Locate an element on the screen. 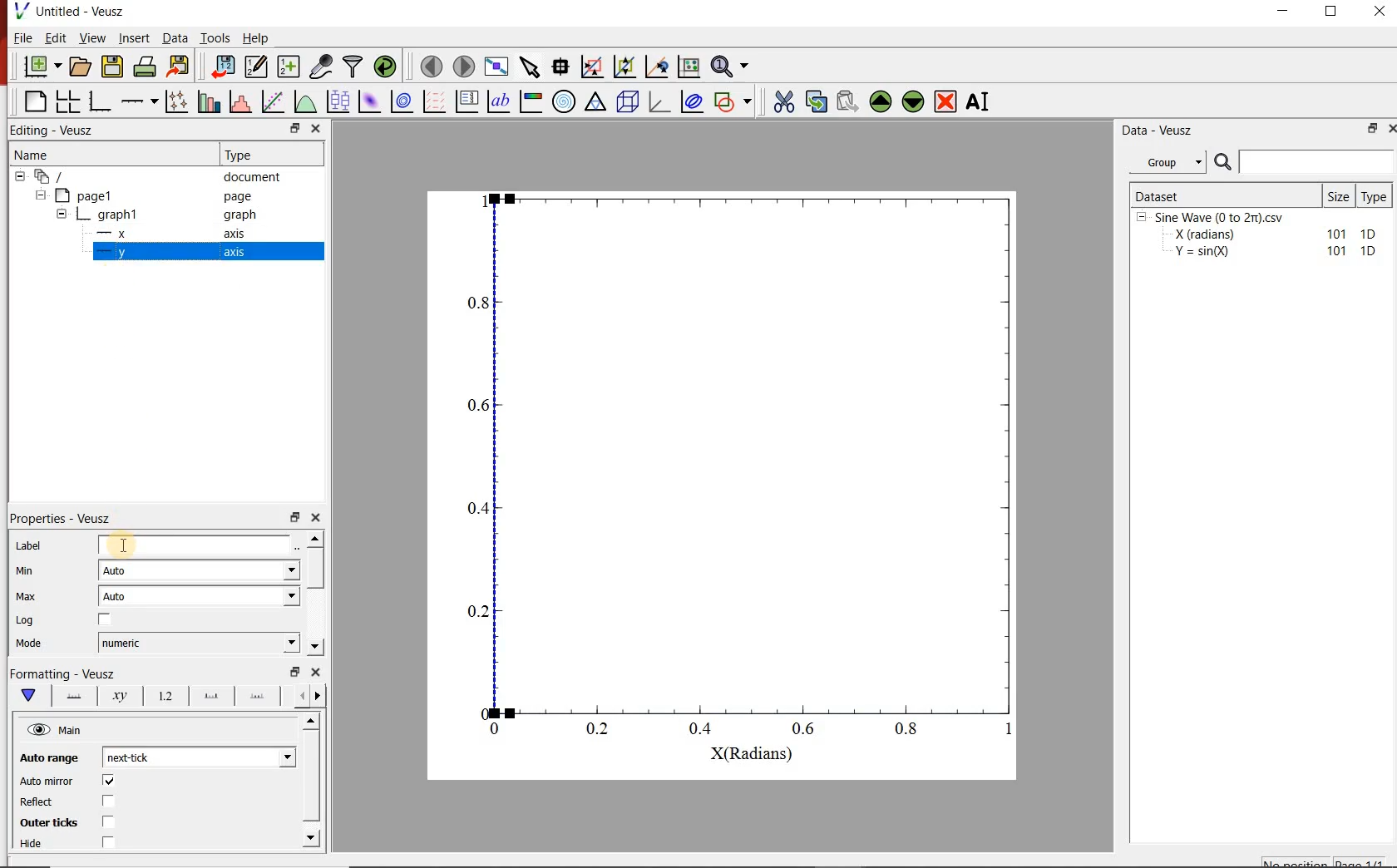  Dataset is located at coordinates (1224, 195).